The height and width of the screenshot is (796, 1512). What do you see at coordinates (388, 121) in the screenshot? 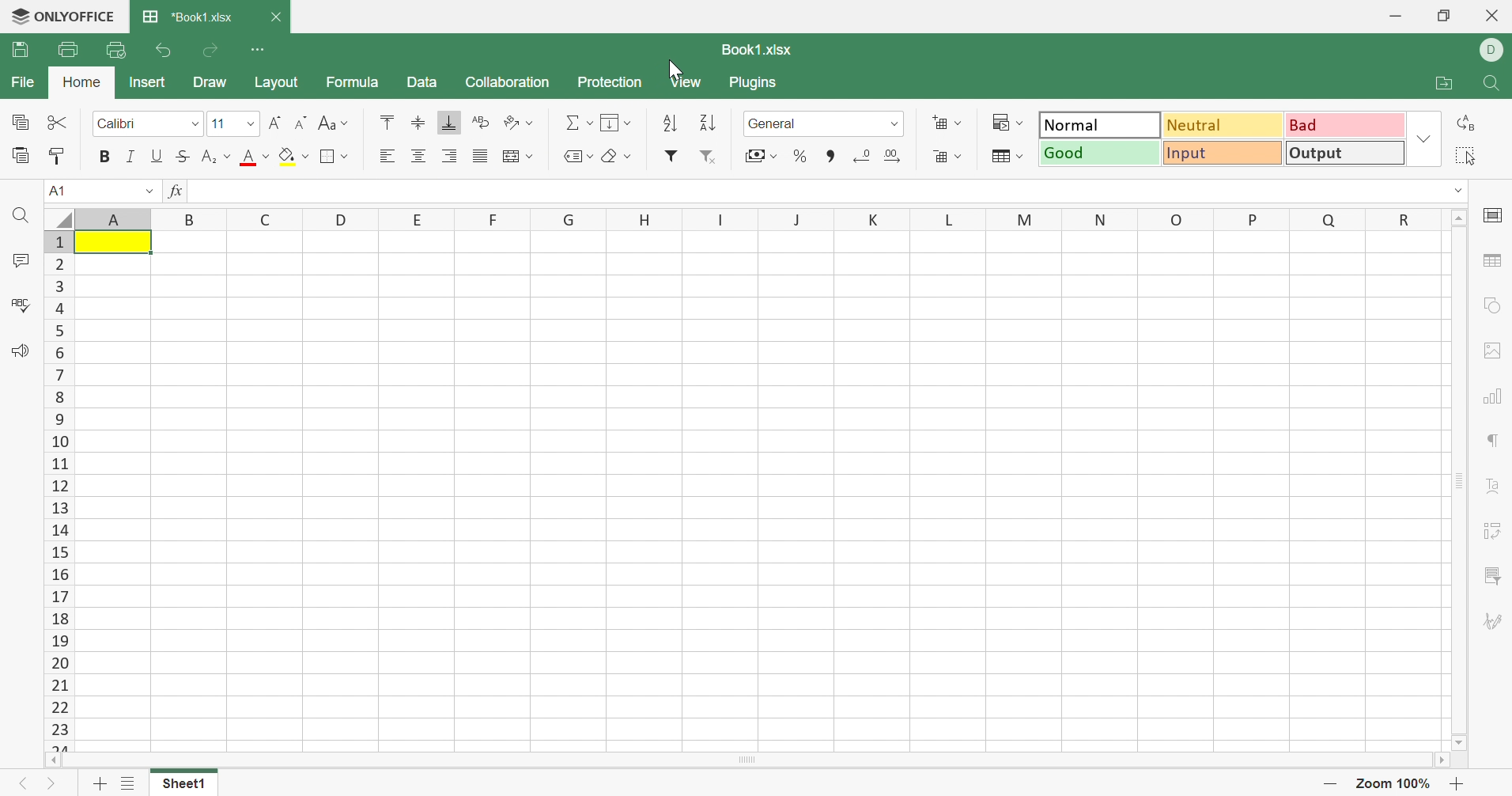
I see `Align Top` at bounding box center [388, 121].